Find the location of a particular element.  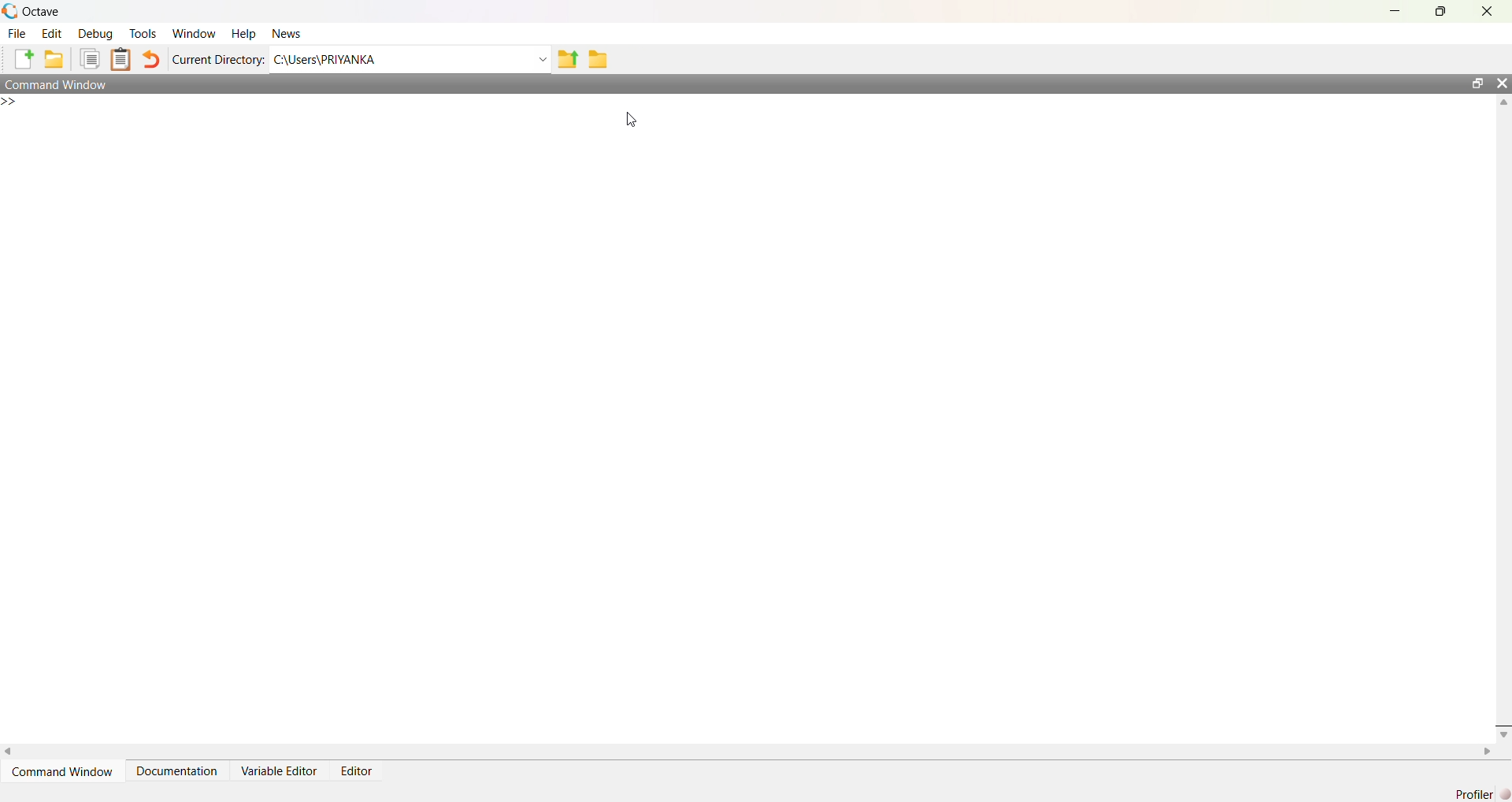

ENter Input is located at coordinates (15, 105).